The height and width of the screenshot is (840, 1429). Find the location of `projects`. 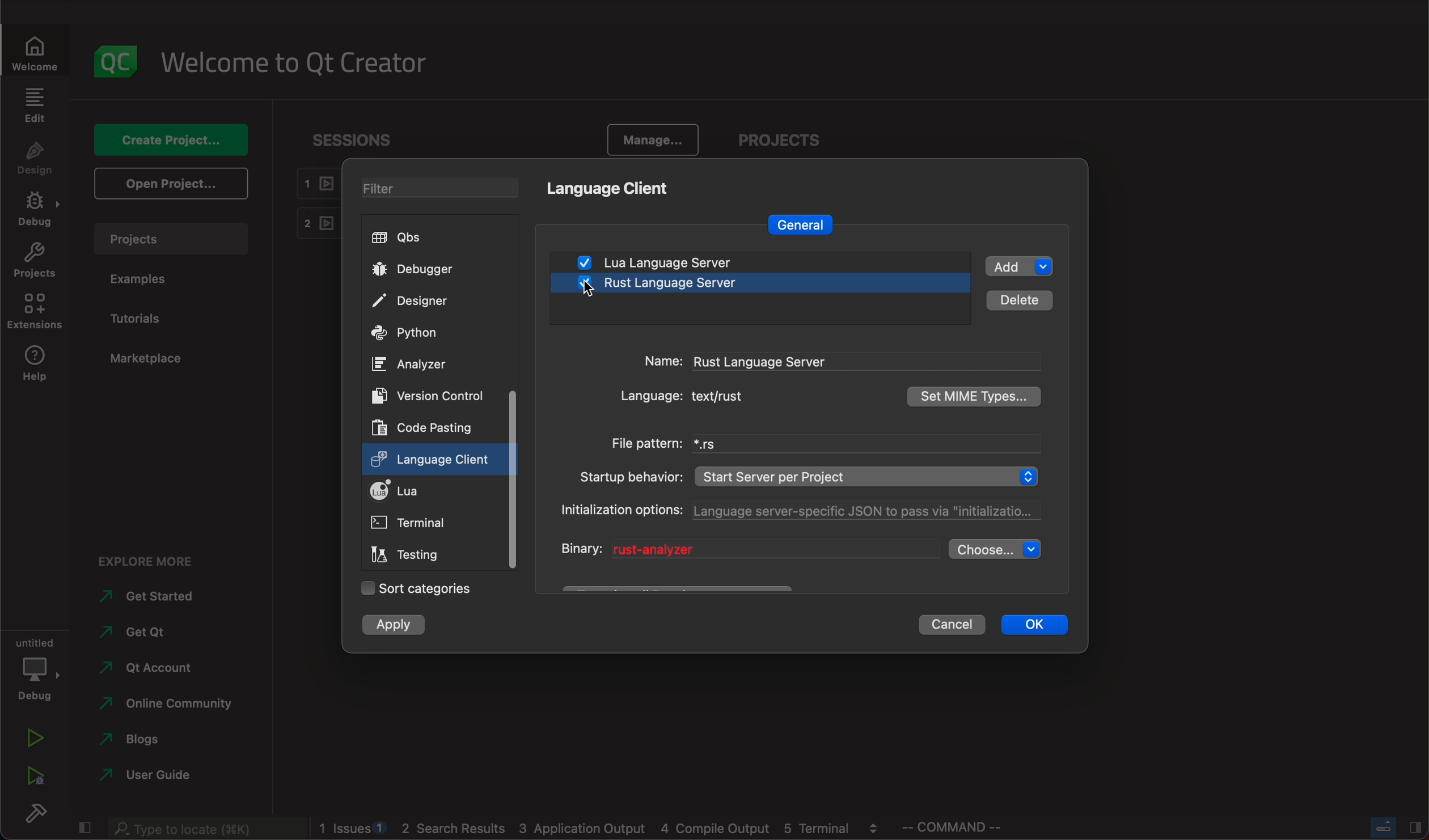

projects is located at coordinates (171, 239).